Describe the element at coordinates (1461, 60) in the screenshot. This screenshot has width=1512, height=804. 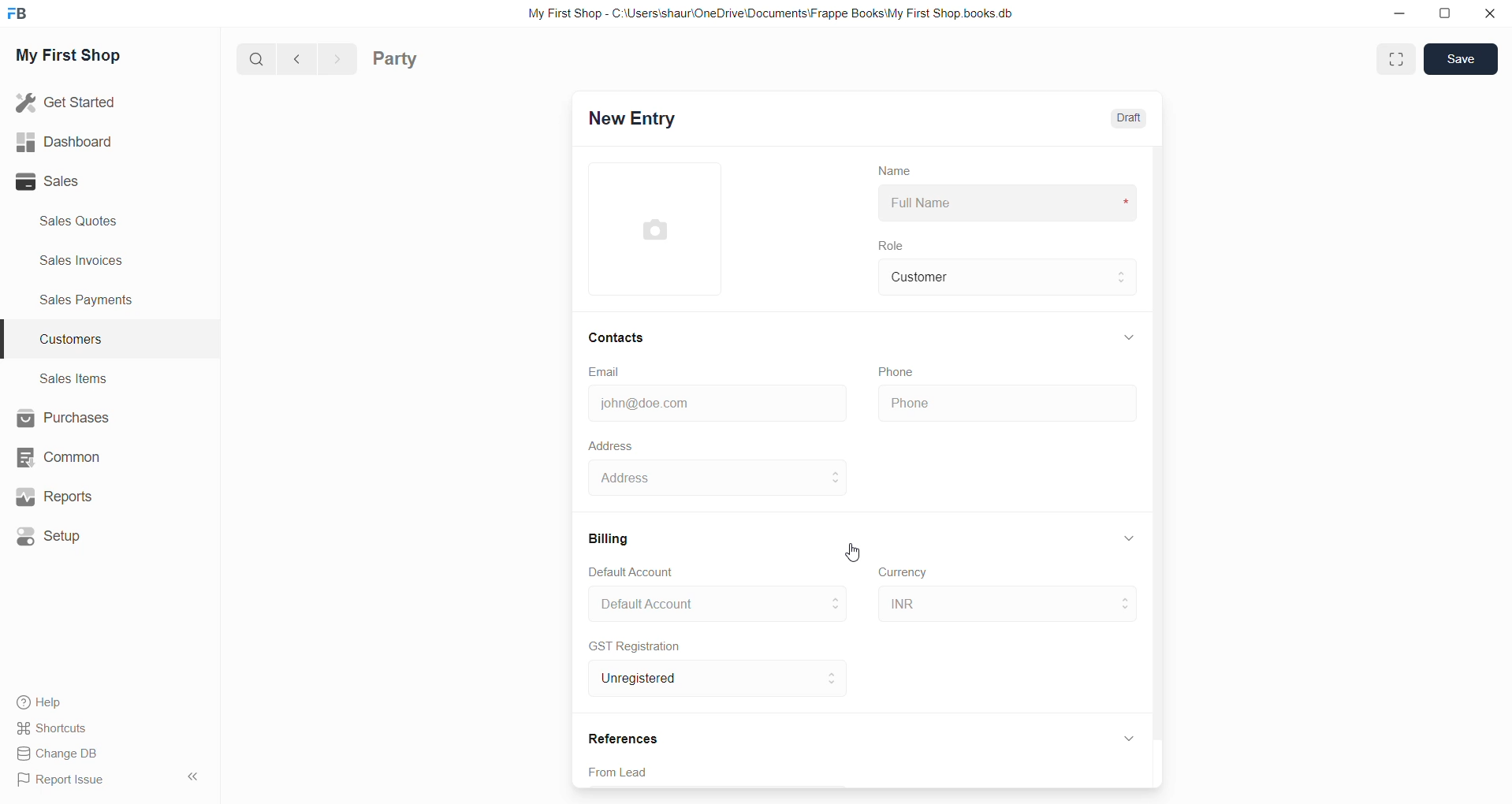
I see `save` at that location.